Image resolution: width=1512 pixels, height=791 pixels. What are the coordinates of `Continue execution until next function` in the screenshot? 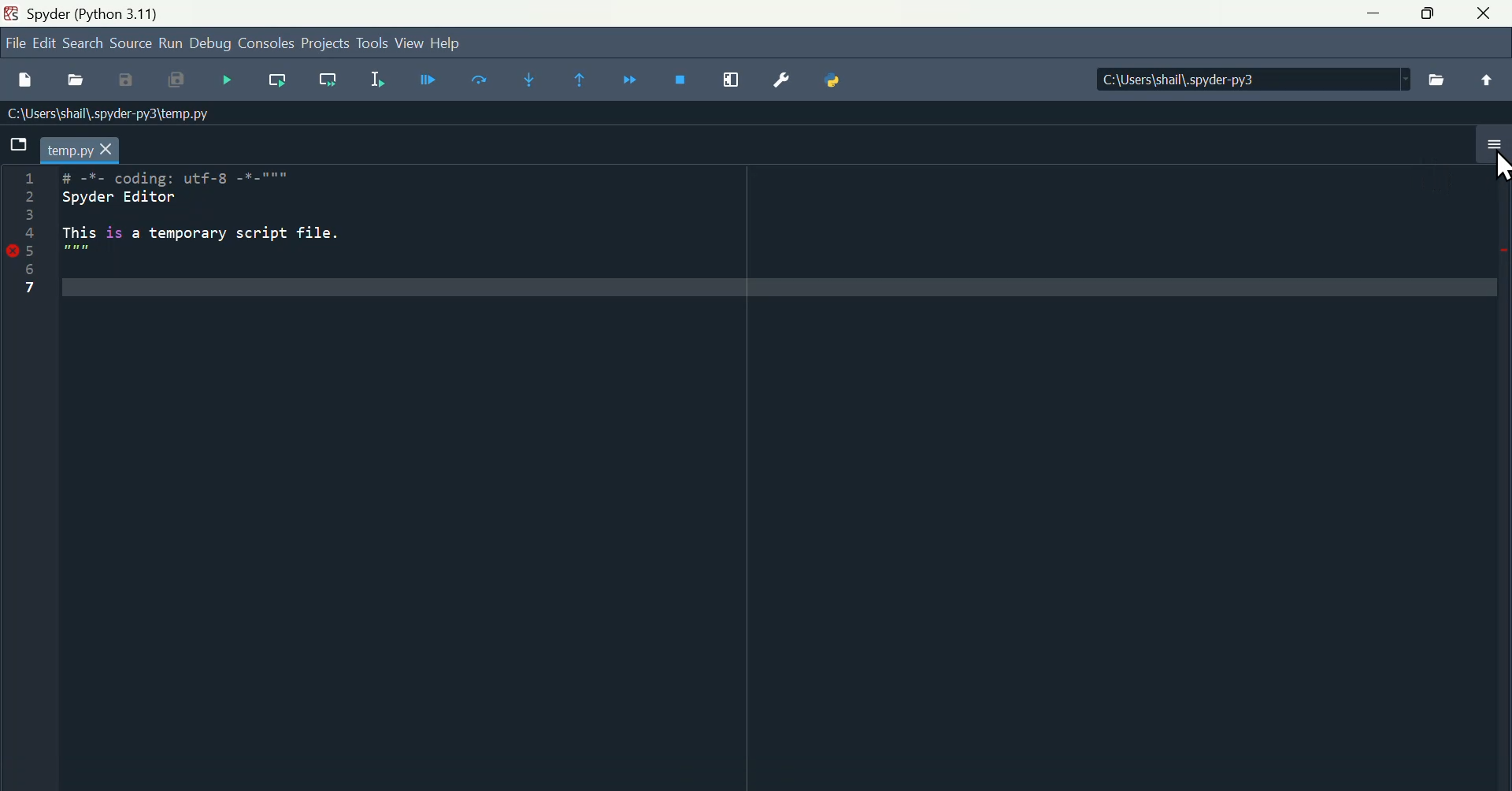 It's located at (636, 80).